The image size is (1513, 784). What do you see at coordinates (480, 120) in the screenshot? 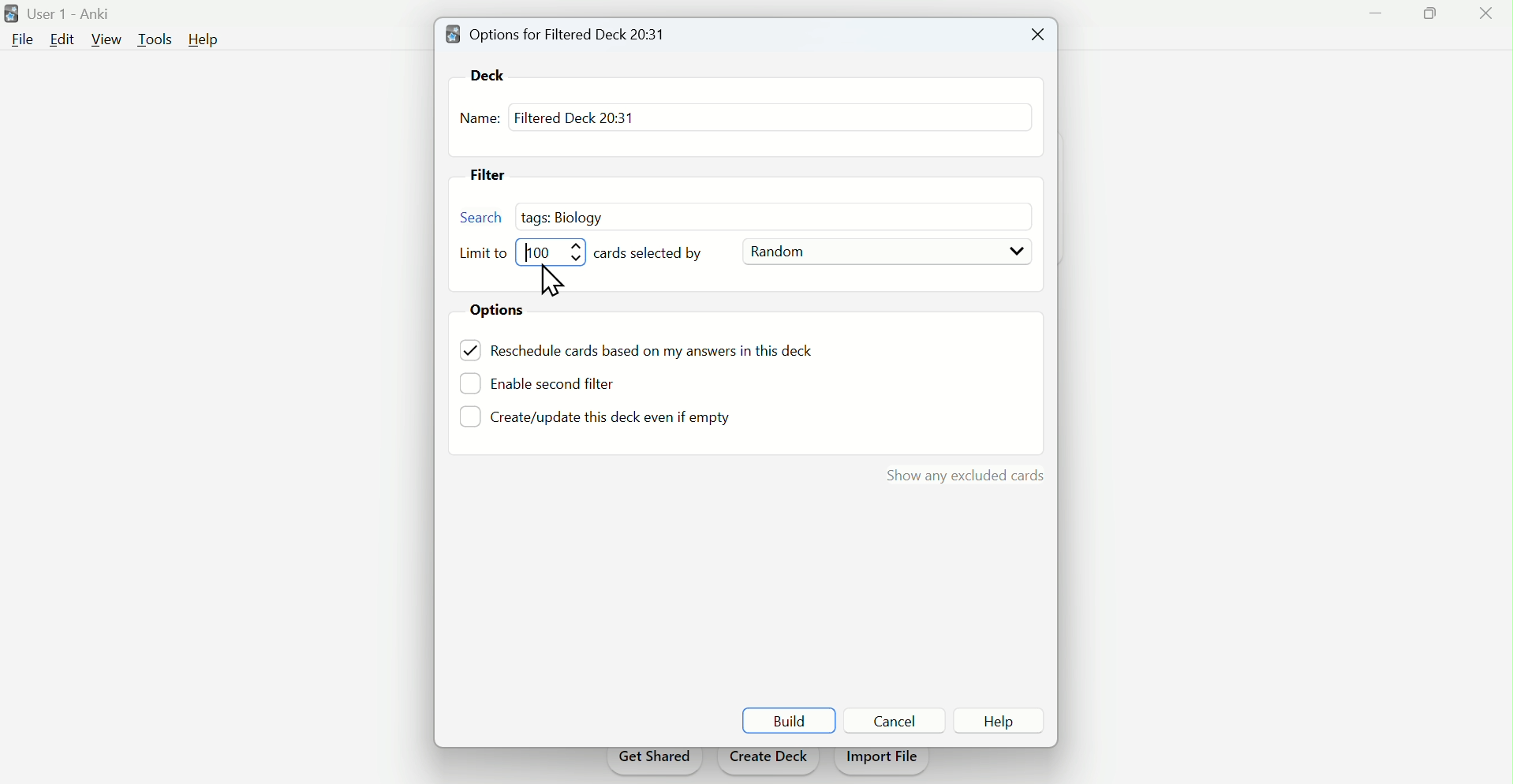
I see `Name:` at bounding box center [480, 120].